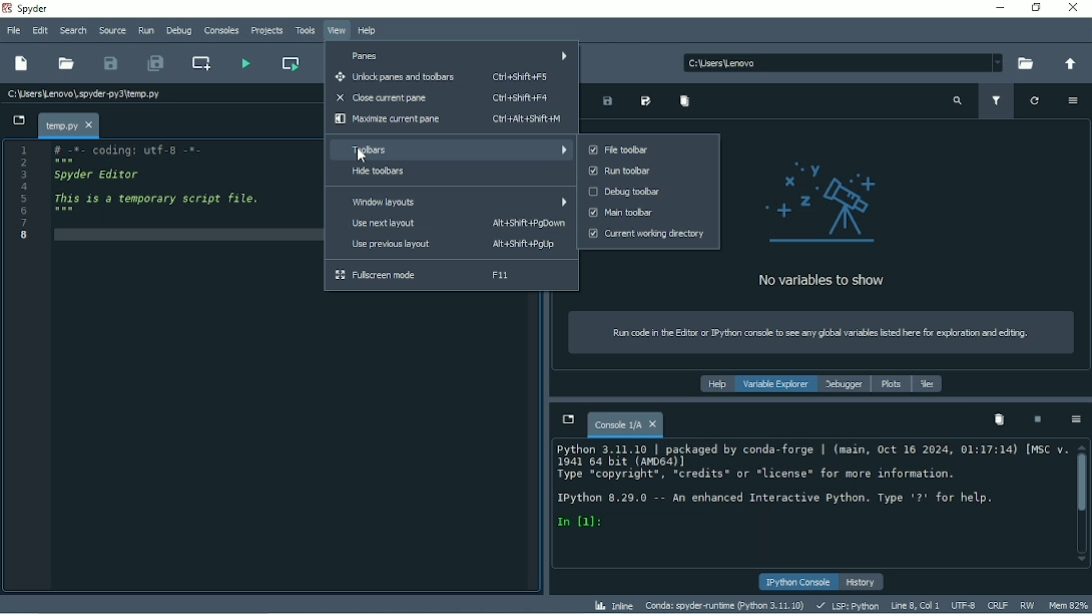 The image size is (1092, 614). Describe the element at coordinates (647, 212) in the screenshot. I see `Main toolbar` at that location.